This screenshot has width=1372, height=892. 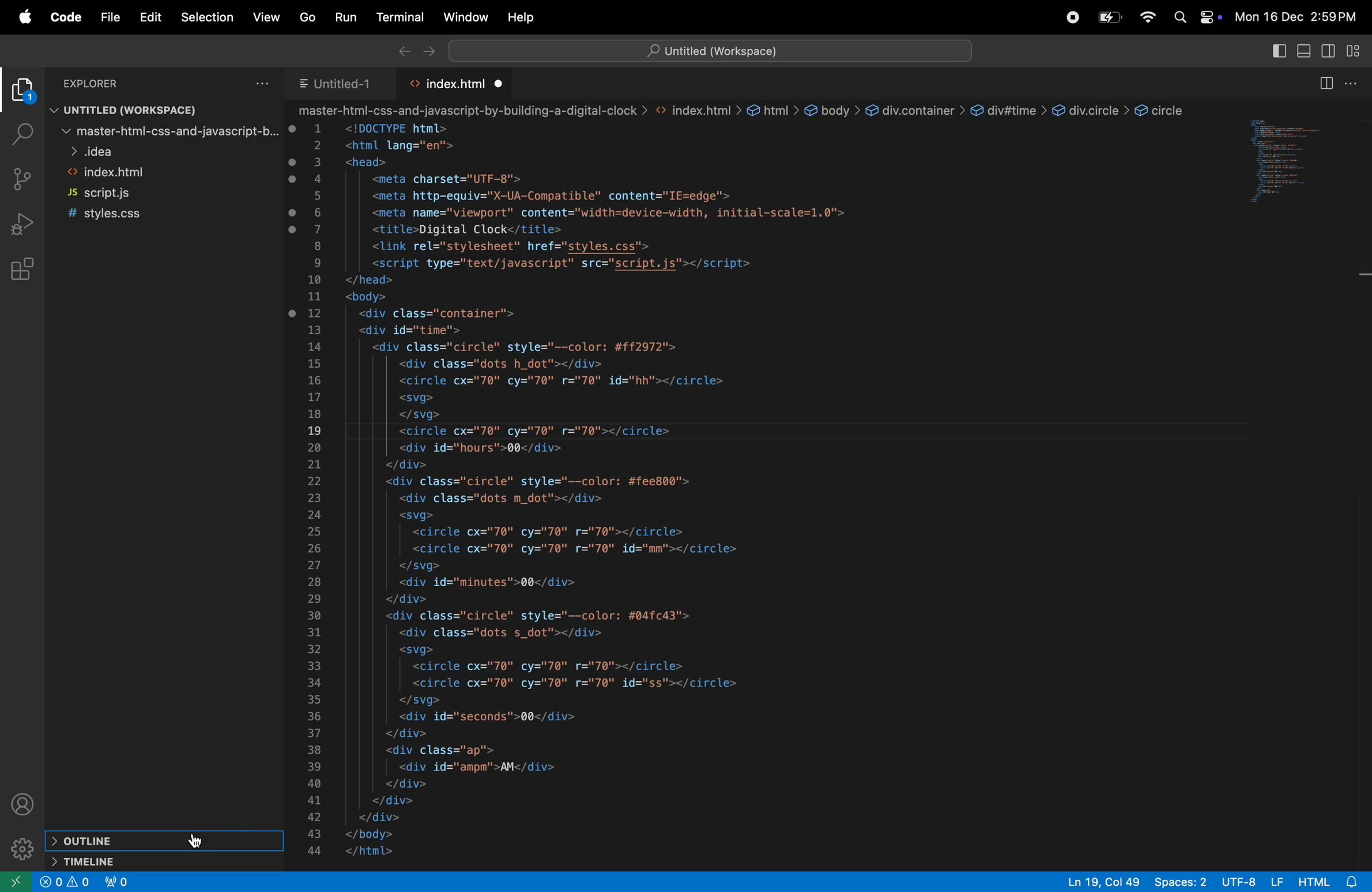 I want to click on spaces 2, so click(x=1181, y=882).